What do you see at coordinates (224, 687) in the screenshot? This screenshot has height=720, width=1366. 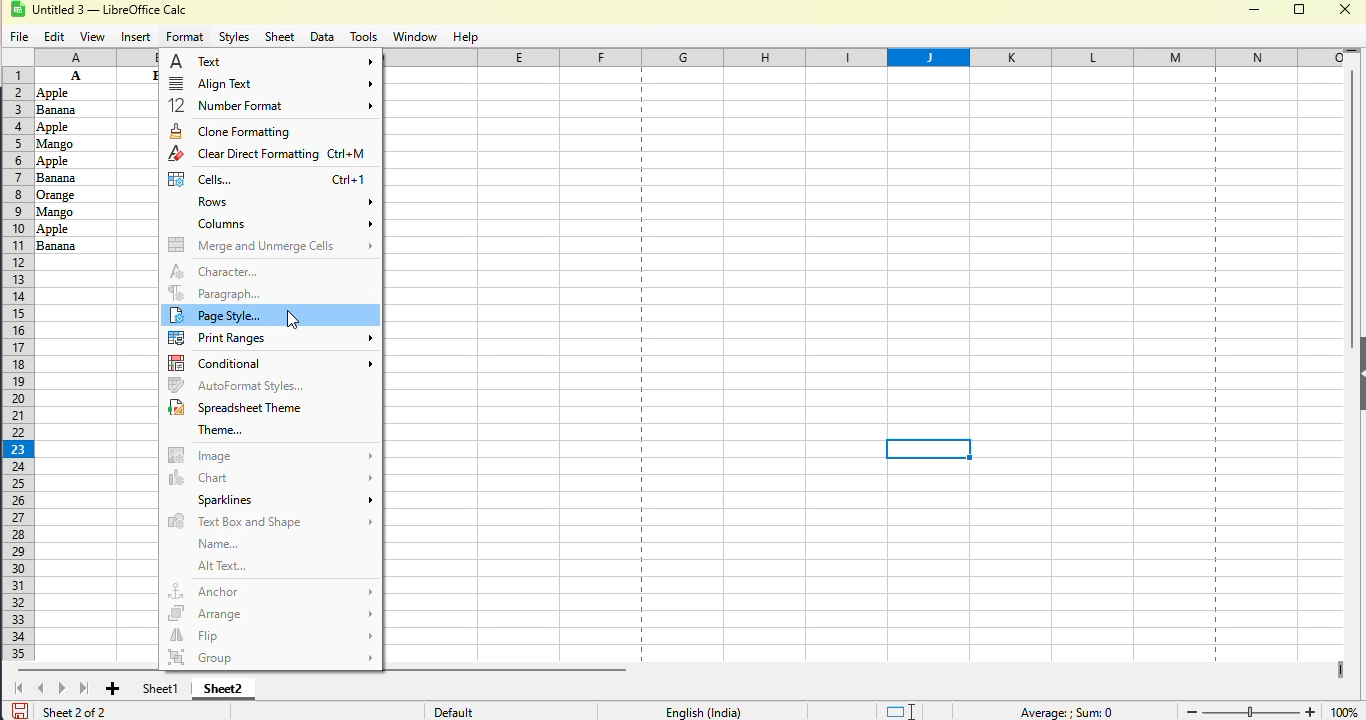 I see `sheet2` at bounding box center [224, 687].